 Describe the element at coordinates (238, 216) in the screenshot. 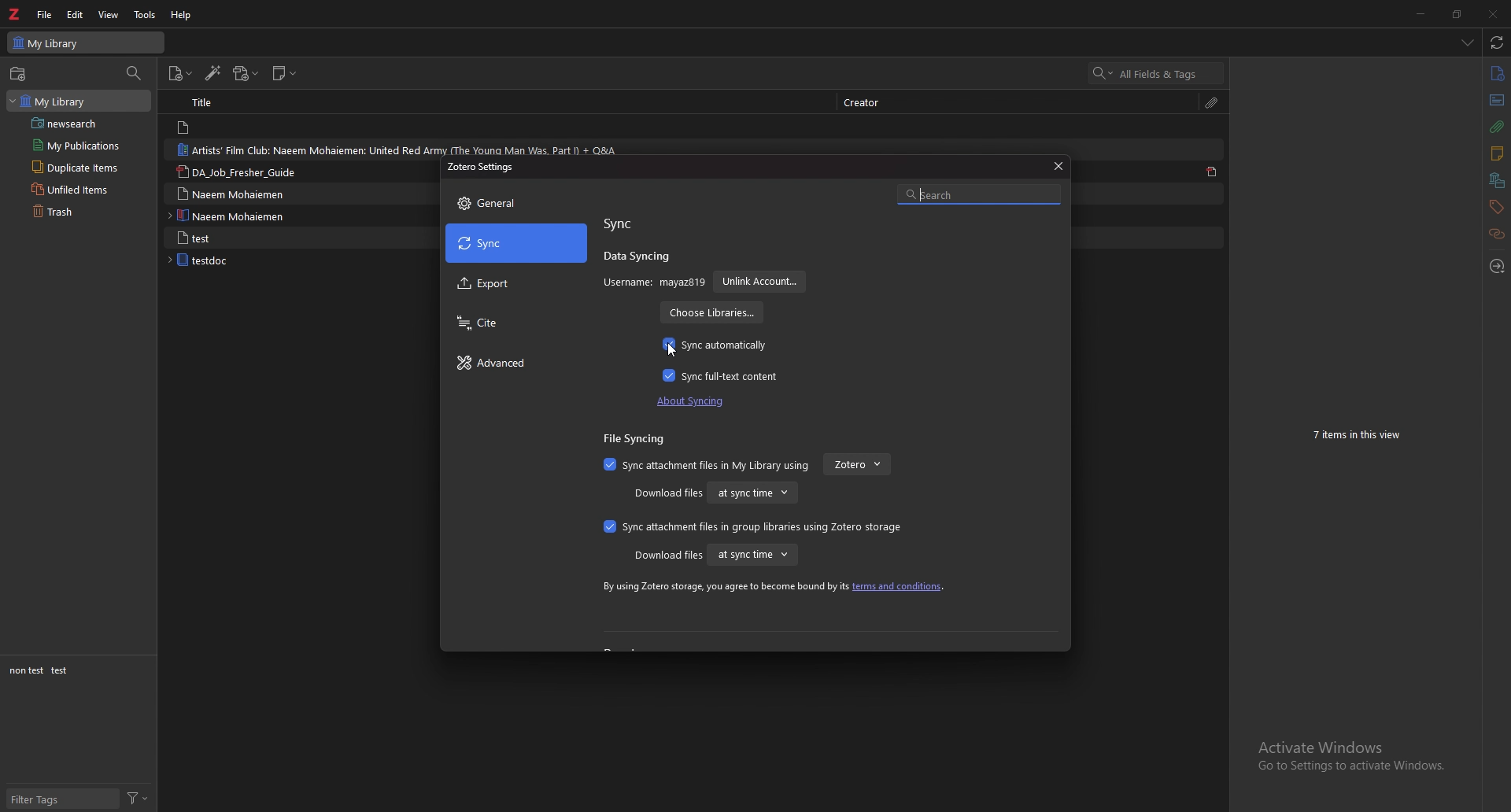

I see `Naeem Mohaiemen` at that location.